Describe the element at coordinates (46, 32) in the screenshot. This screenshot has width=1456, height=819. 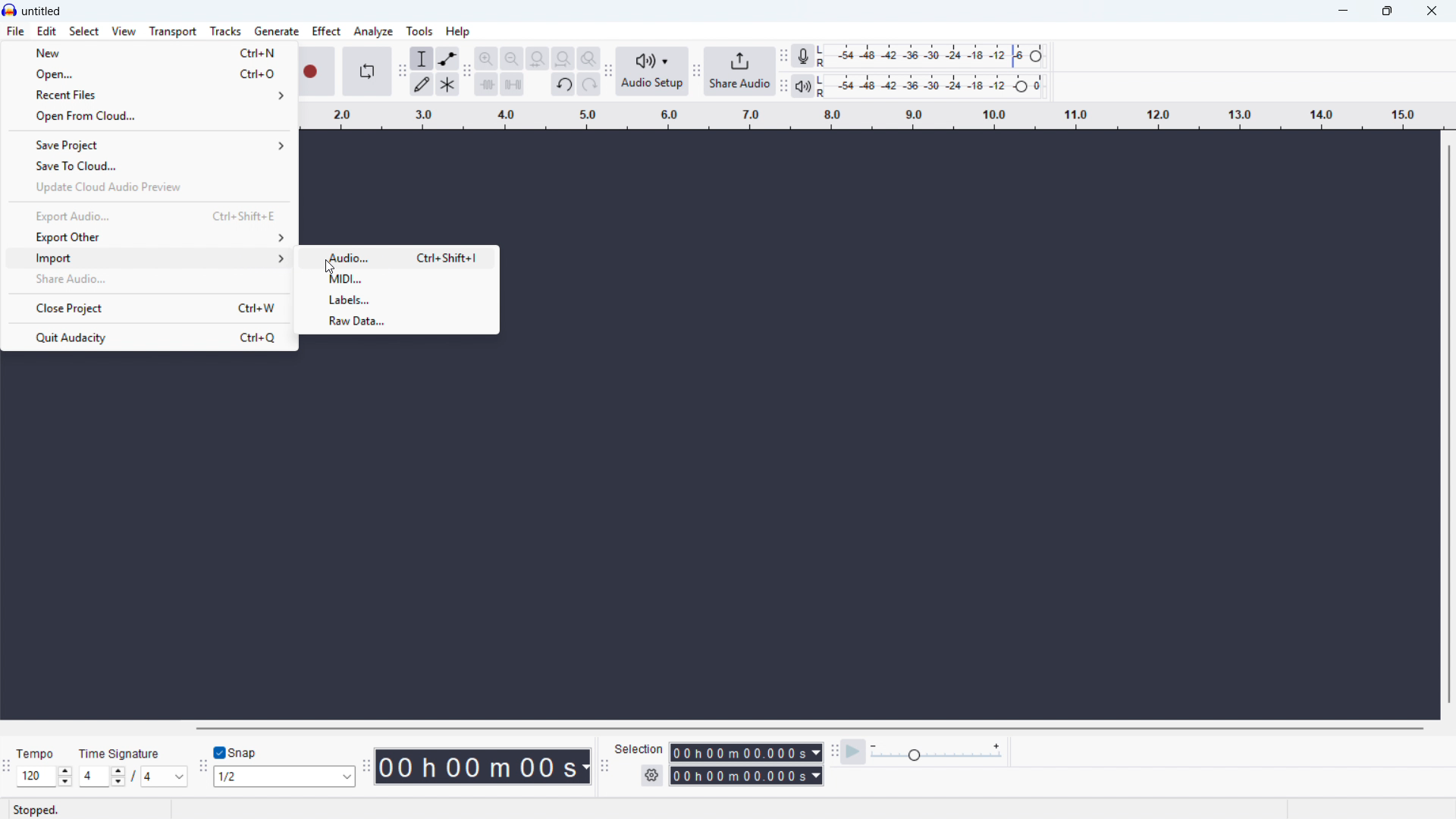
I see `Edit ` at that location.